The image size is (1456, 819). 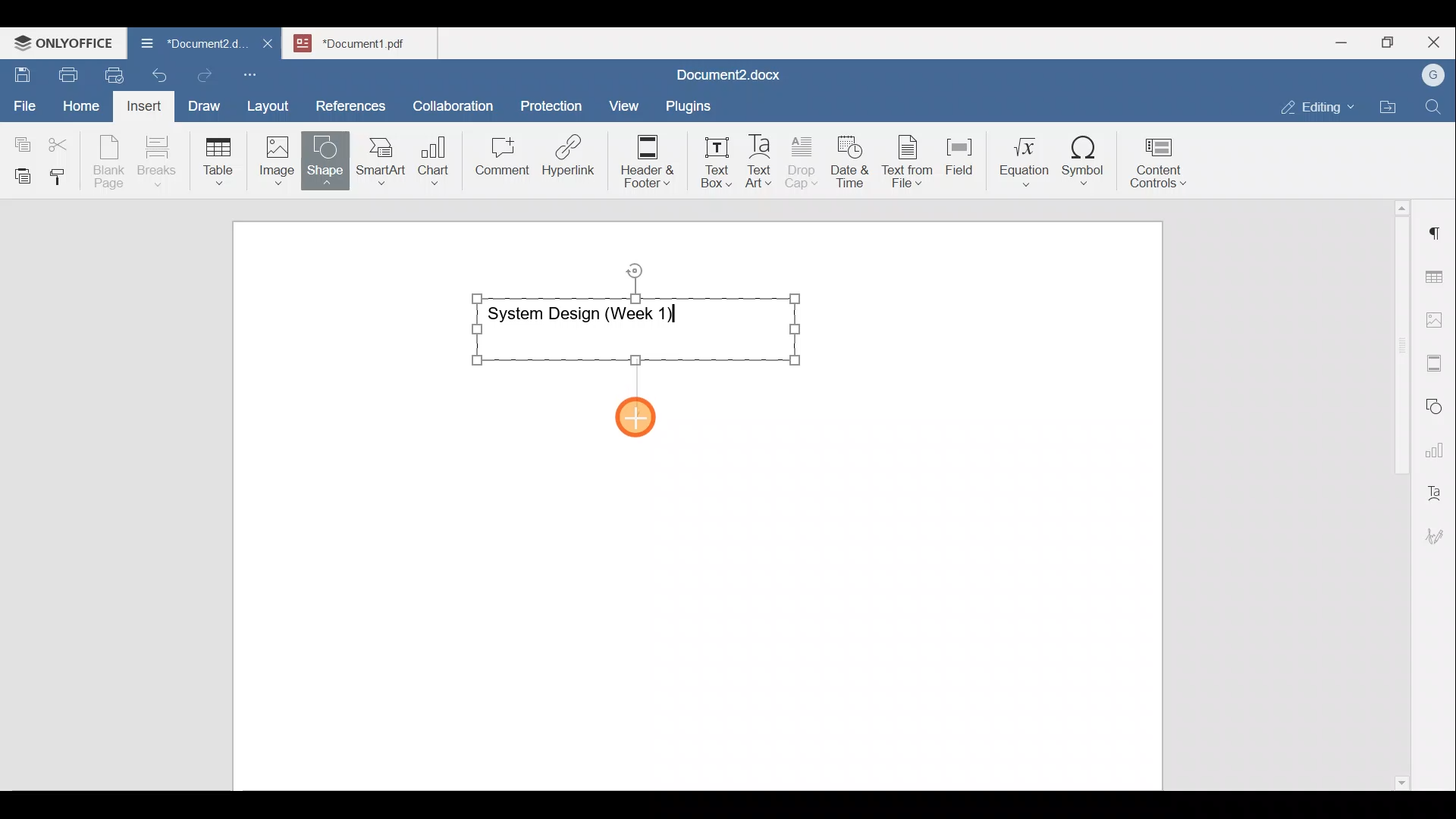 I want to click on Breaks, so click(x=156, y=162).